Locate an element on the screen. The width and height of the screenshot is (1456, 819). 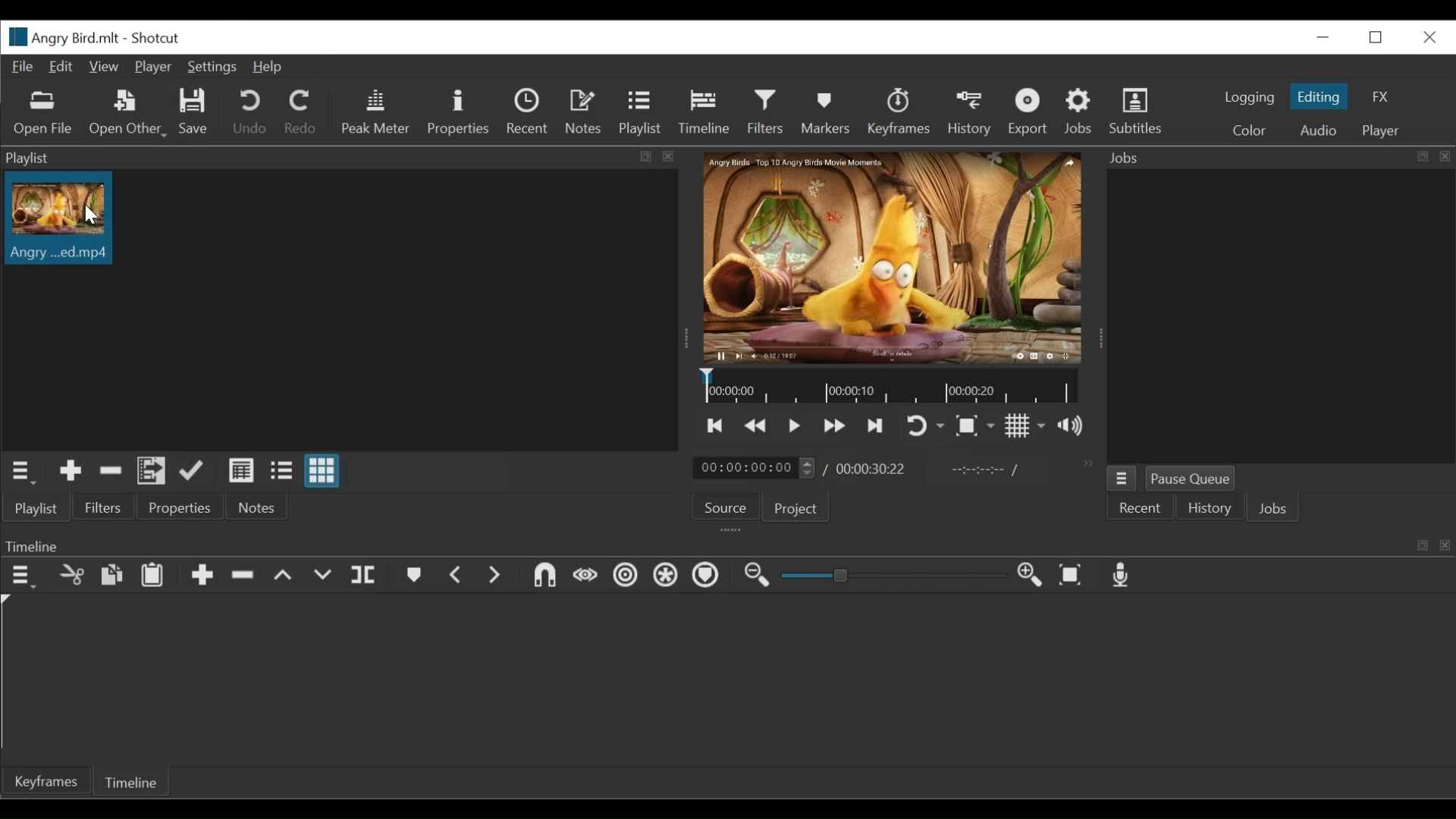
Timeline is located at coordinates (704, 113).